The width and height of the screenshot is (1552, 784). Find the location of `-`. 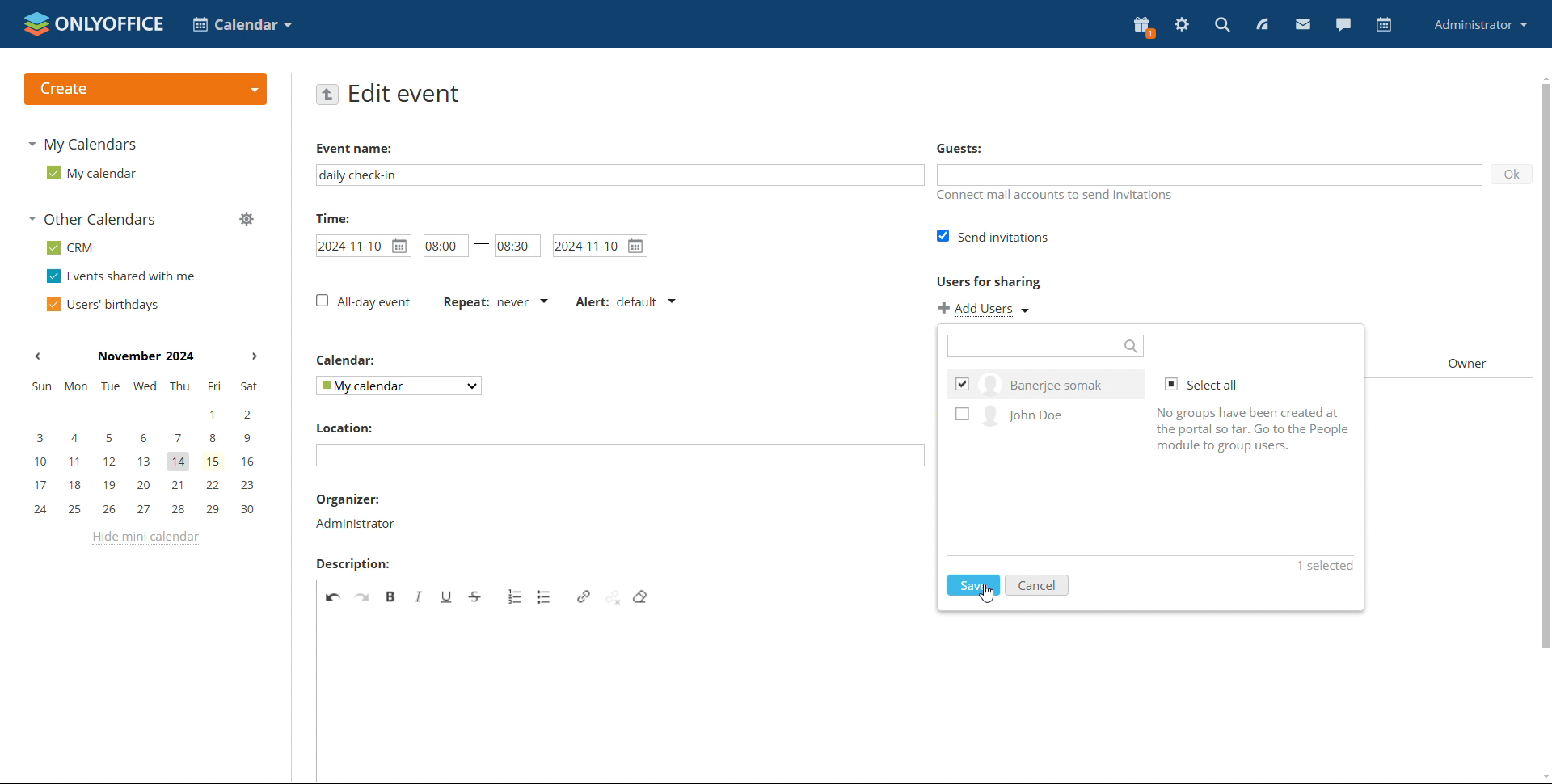

- is located at coordinates (479, 242).